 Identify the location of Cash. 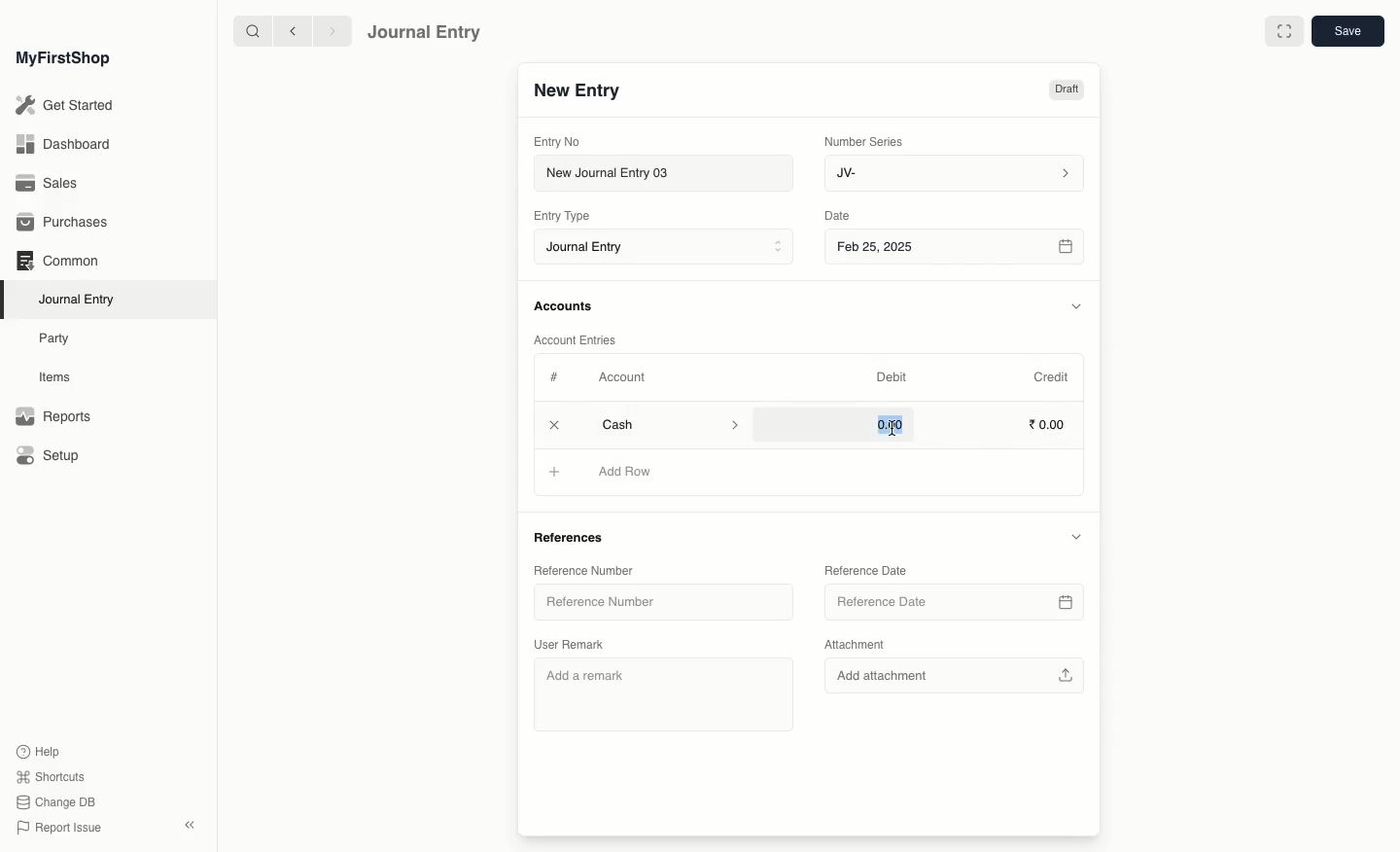
(670, 424).